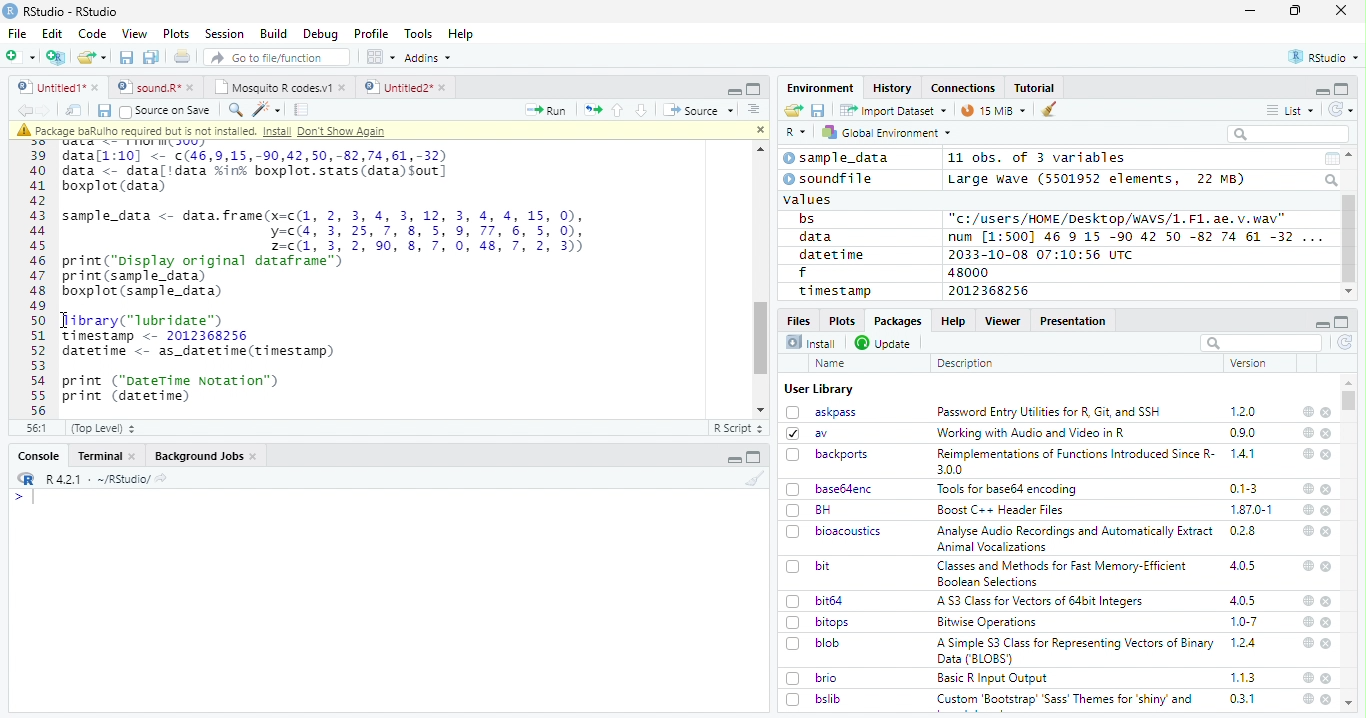 The width and height of the screenshot is (1366, 718). What do you see at coordinates (39, 282) in the screenshot?
I see `Numbering line` at bounding box center [39, 282].